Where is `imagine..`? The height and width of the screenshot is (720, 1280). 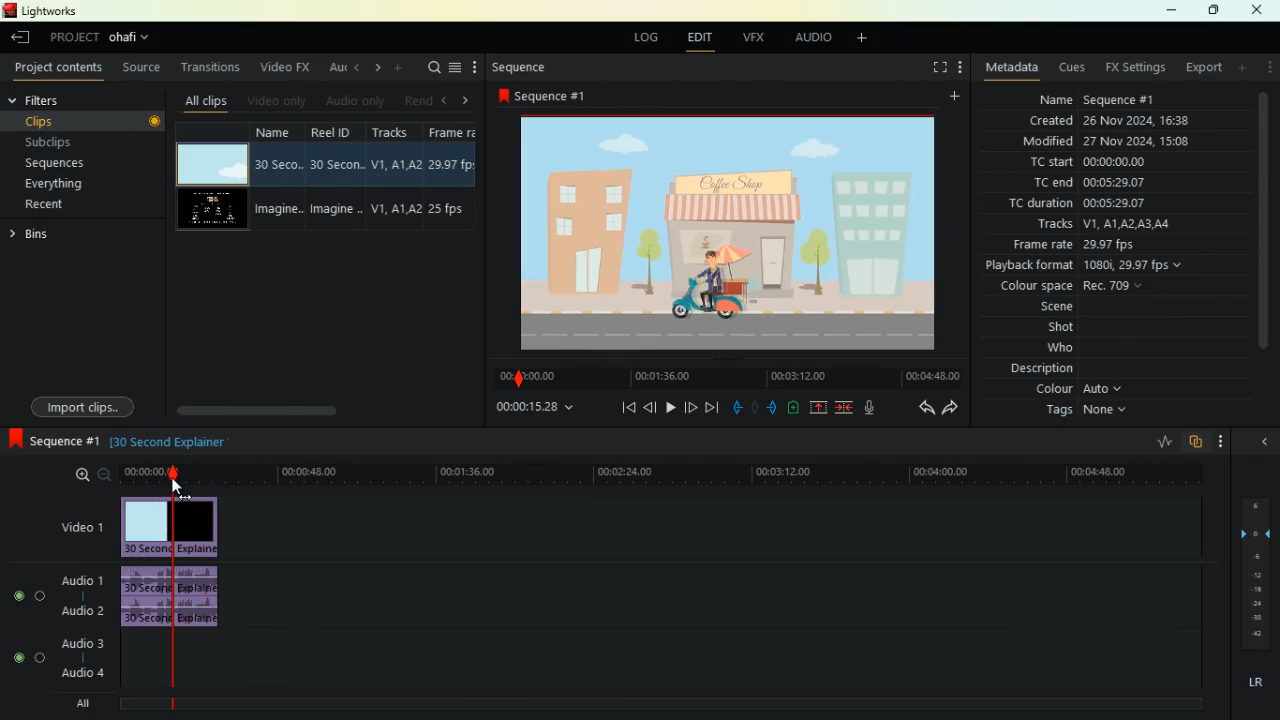
imagine.. is located at coordinates (278, 211).